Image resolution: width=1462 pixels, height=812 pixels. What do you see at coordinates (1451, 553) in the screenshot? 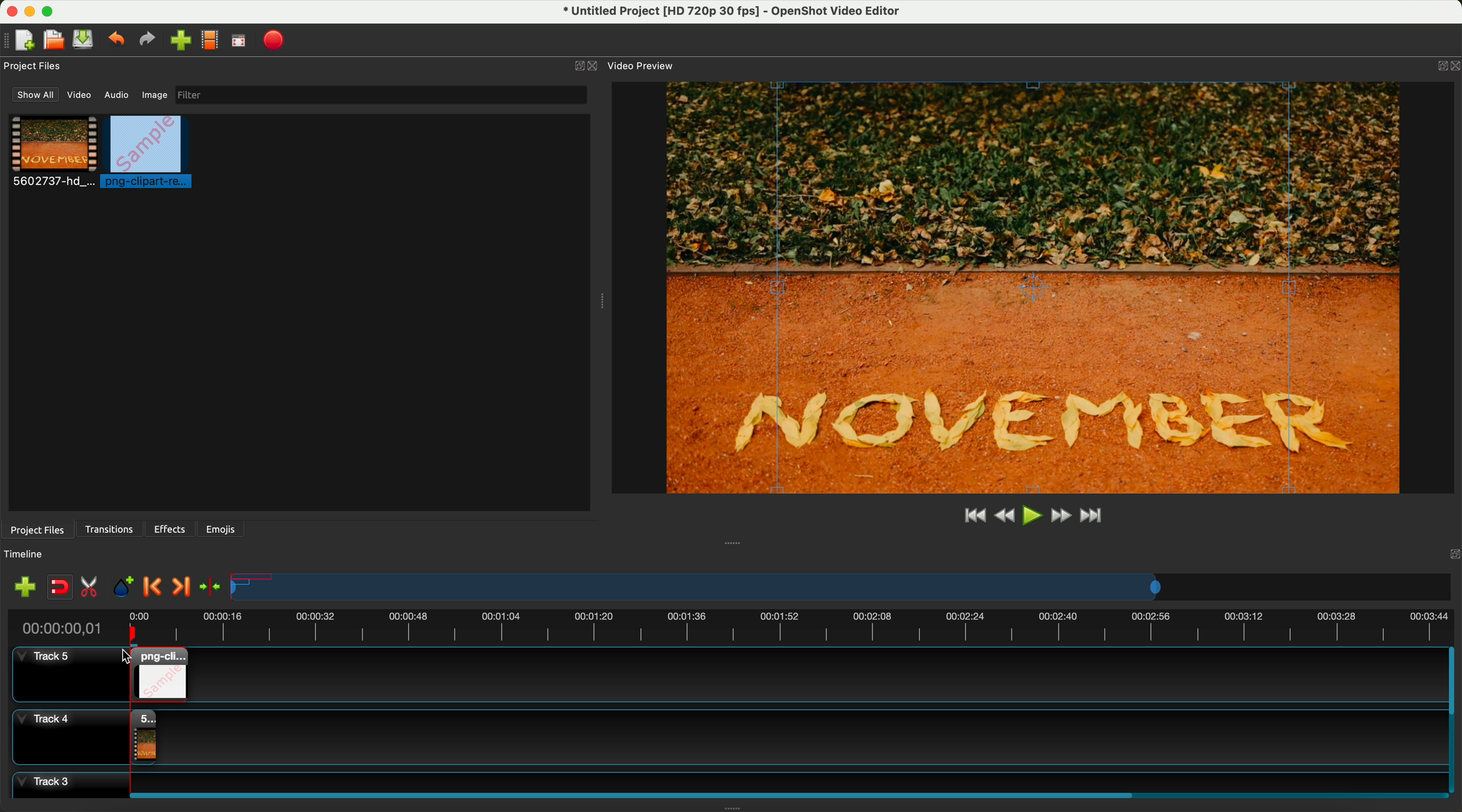
I see `` at bounding box center [1451, 553].